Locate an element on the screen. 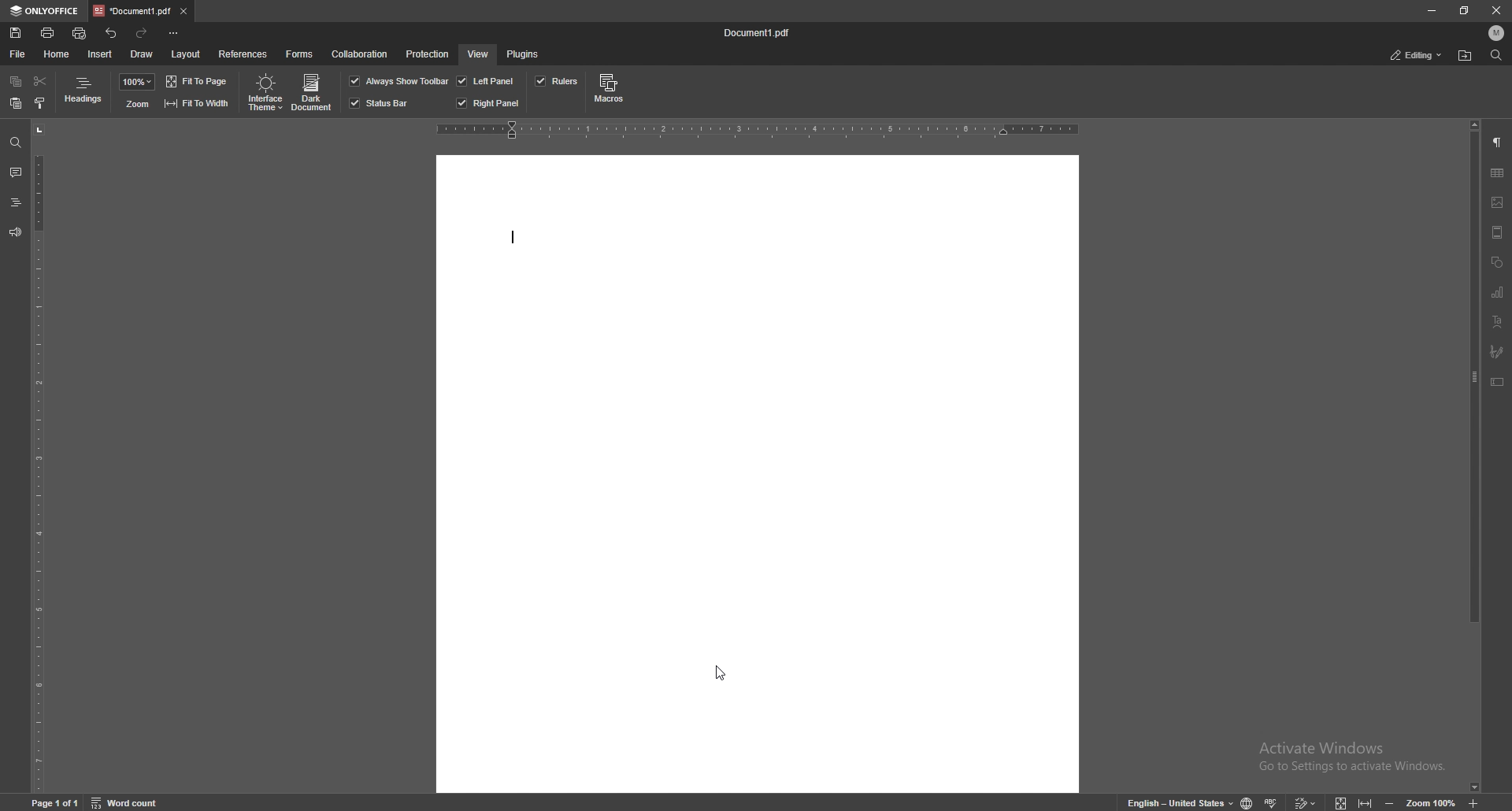 This screenshot has width=1512, height=811. text box is located at coordinates (1498, 381).